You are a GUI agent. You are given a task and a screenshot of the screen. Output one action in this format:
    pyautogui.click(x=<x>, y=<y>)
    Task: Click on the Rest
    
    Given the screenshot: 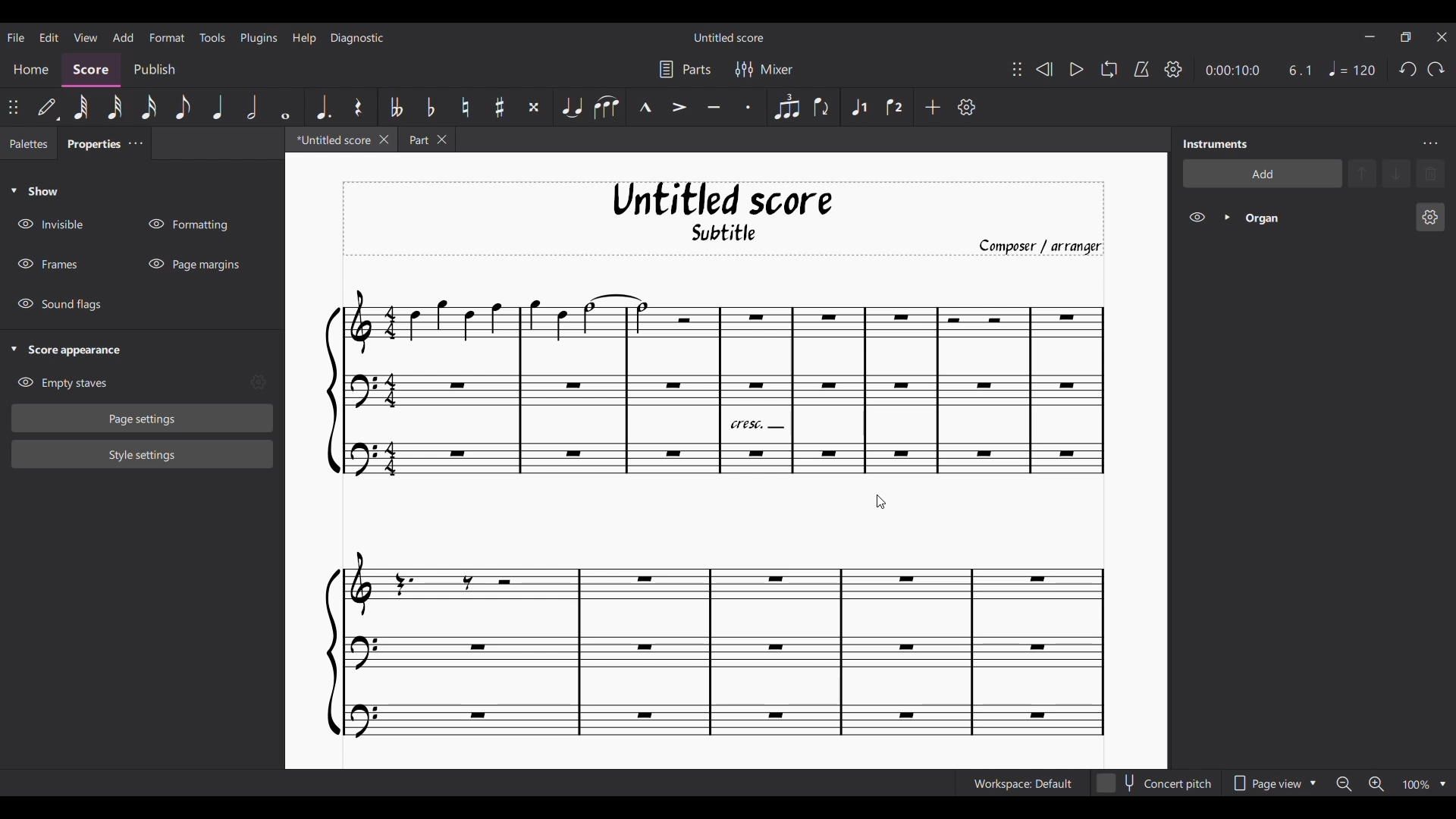 What is the action you would take?
    pyautogui.click(x=358, y=107)
    